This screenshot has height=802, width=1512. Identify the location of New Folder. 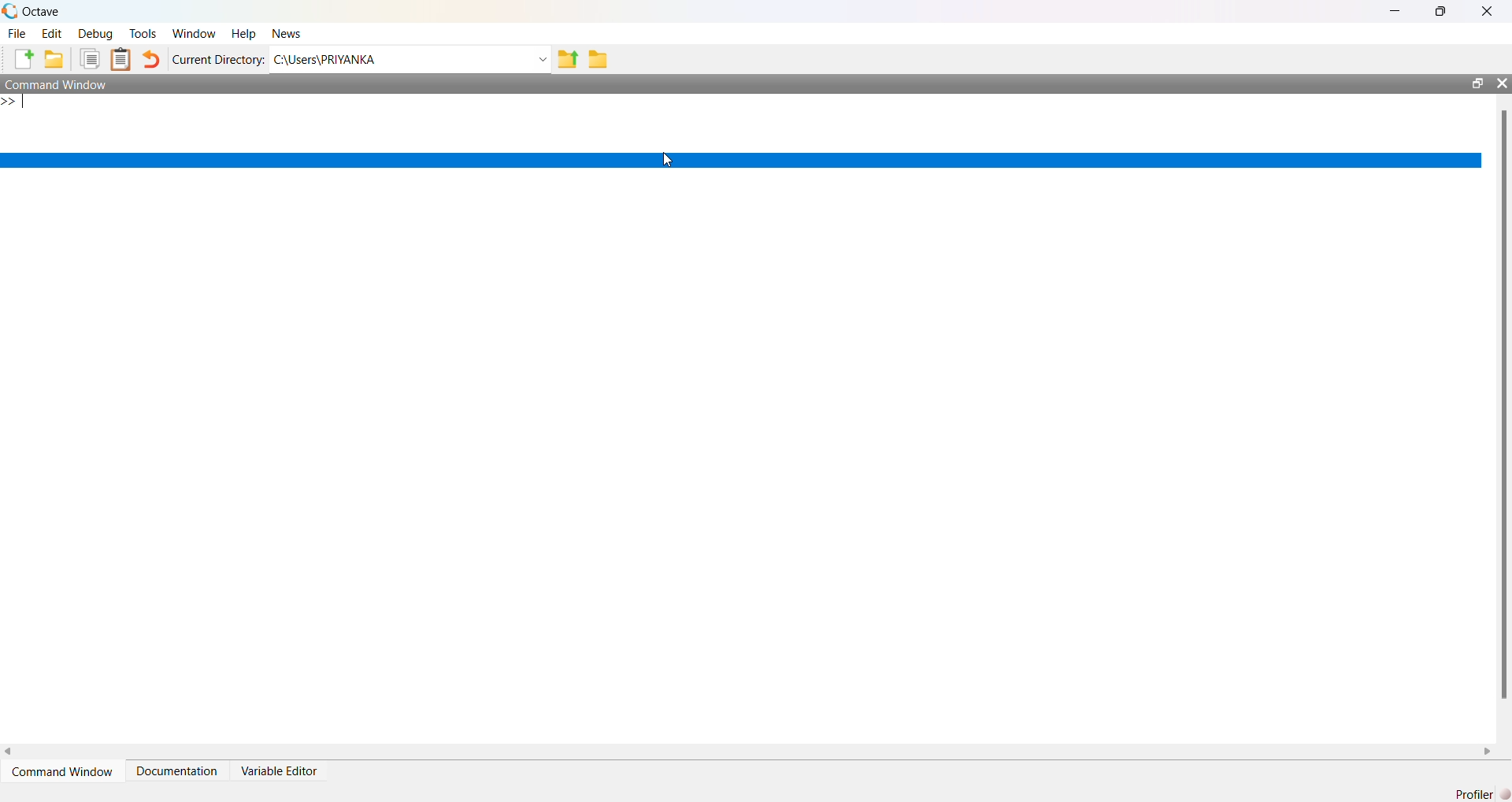
(54, 59).